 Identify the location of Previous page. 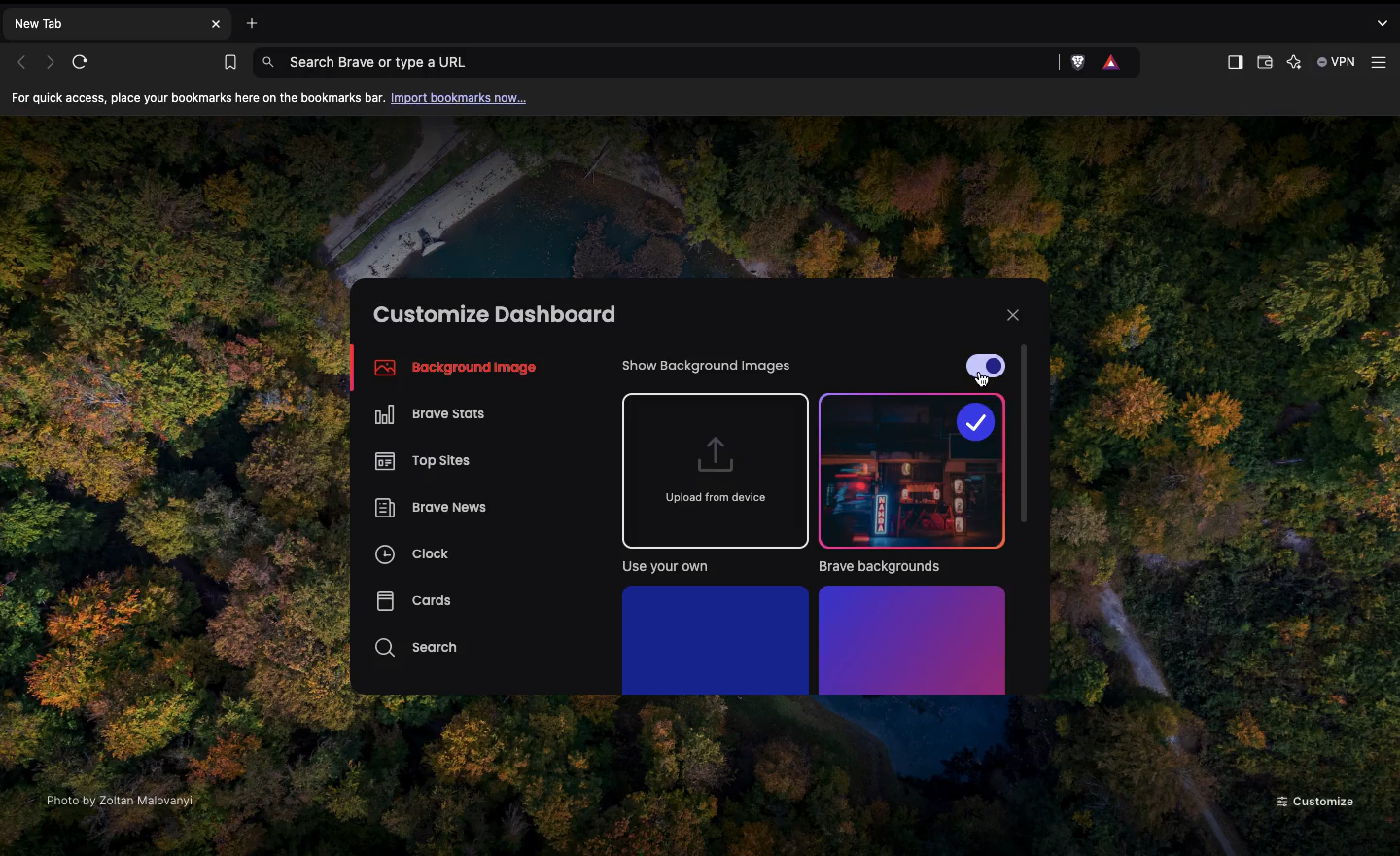
(21, 62).